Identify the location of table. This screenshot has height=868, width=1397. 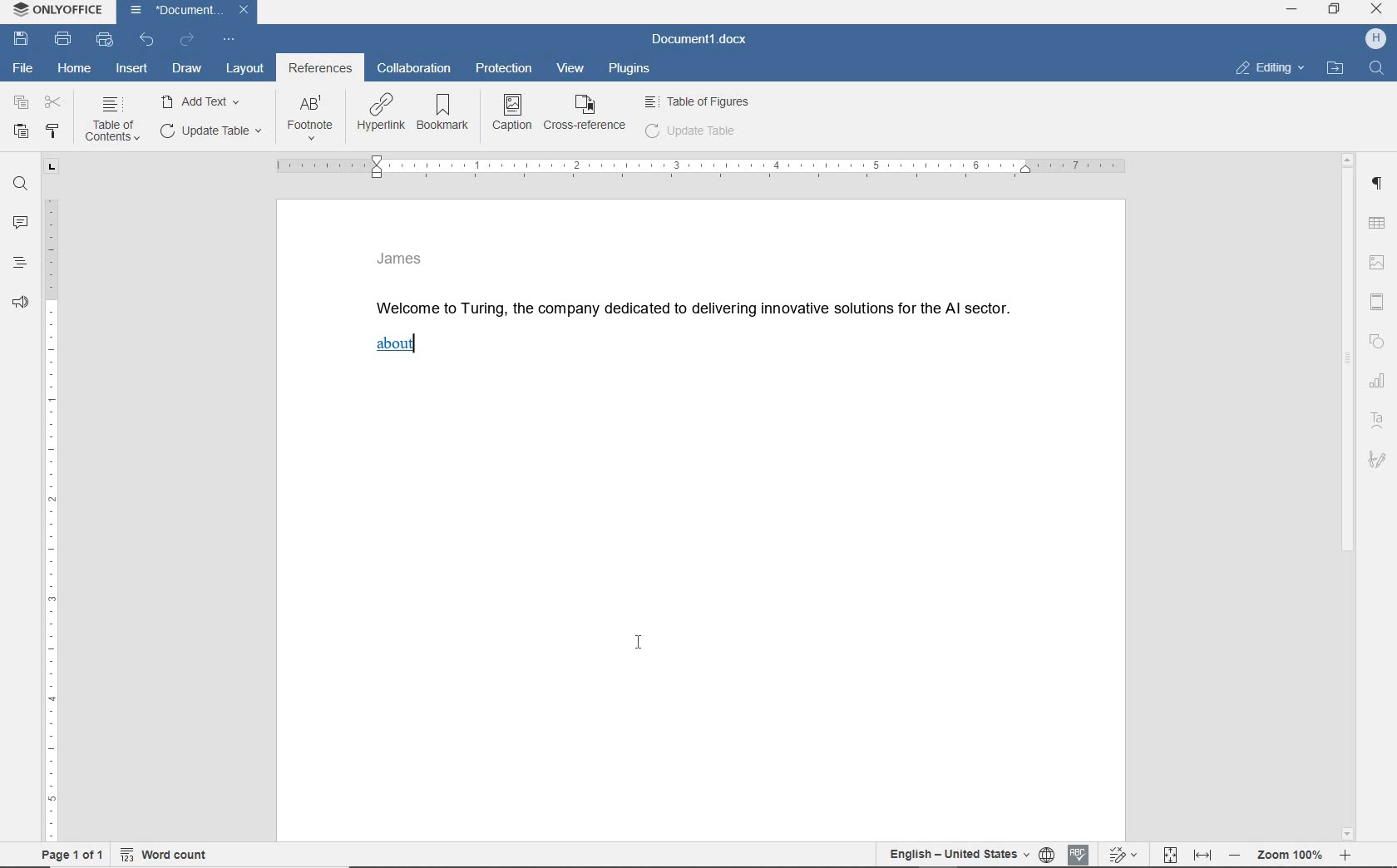
(1380, 222).